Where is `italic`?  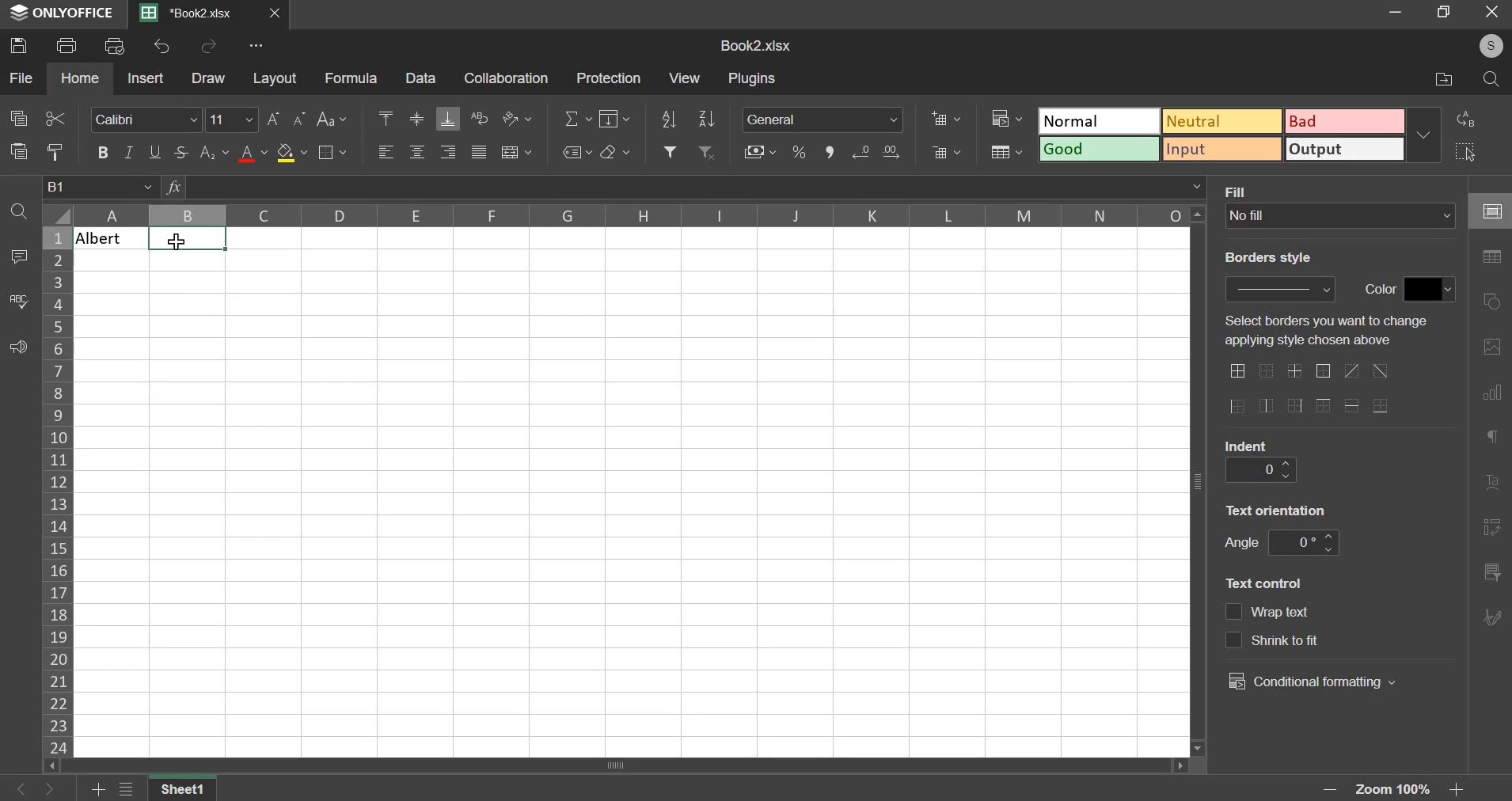 italic is located at coordinates (130, 152).